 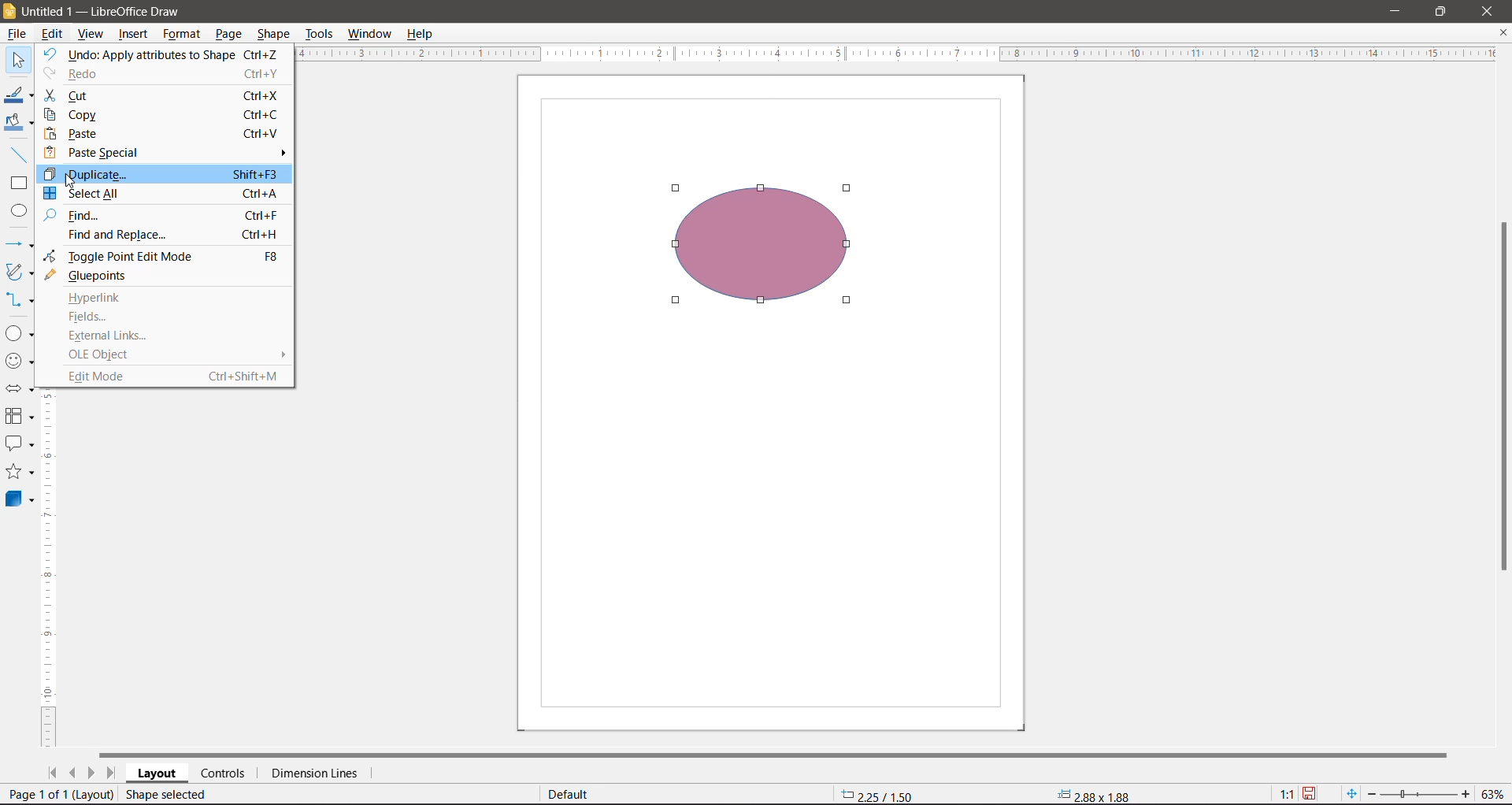 I want to click on Hyperlink, so click(x=89, y=297).